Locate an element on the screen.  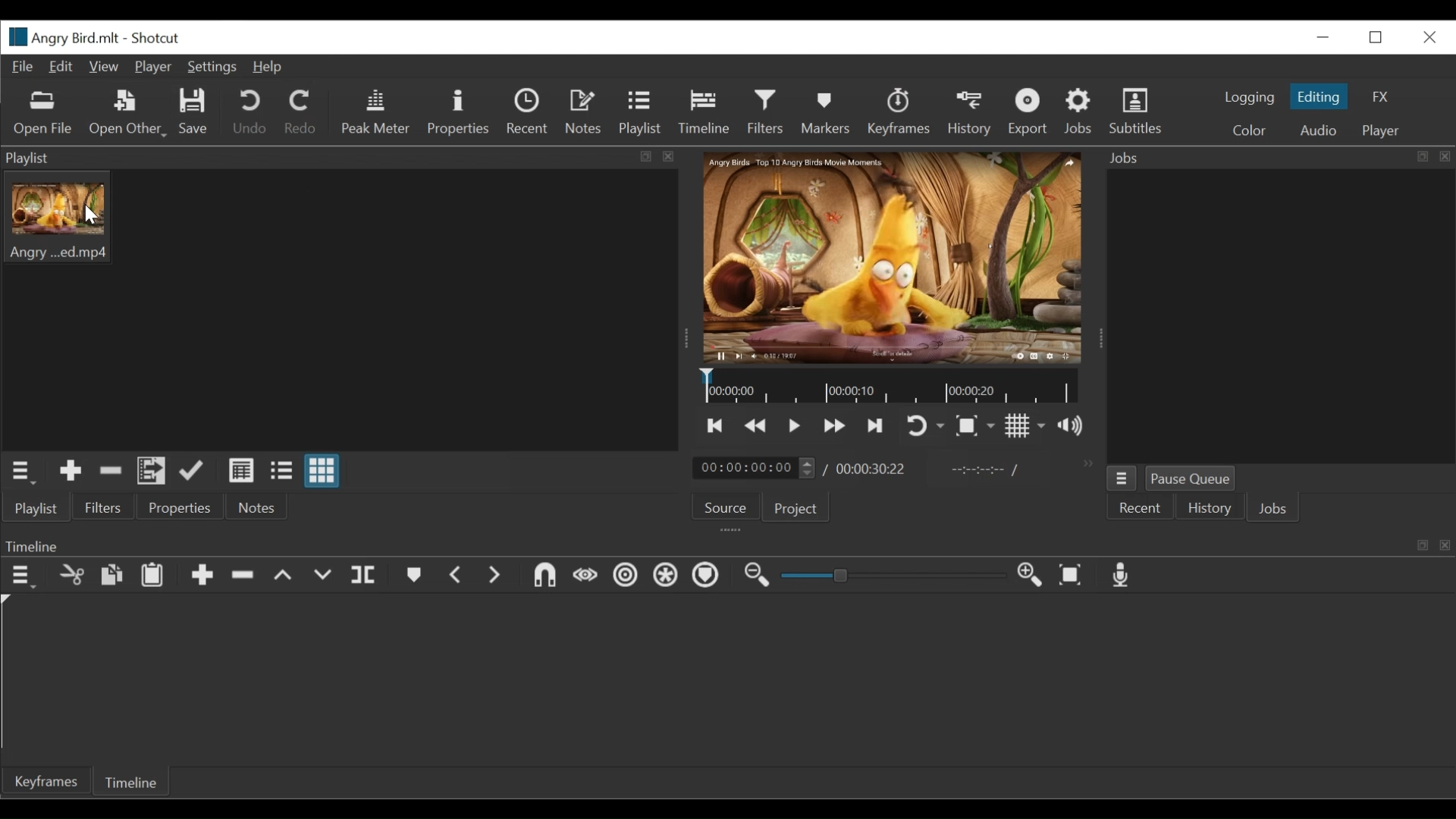
Settings is located at coordinates (212, 66).